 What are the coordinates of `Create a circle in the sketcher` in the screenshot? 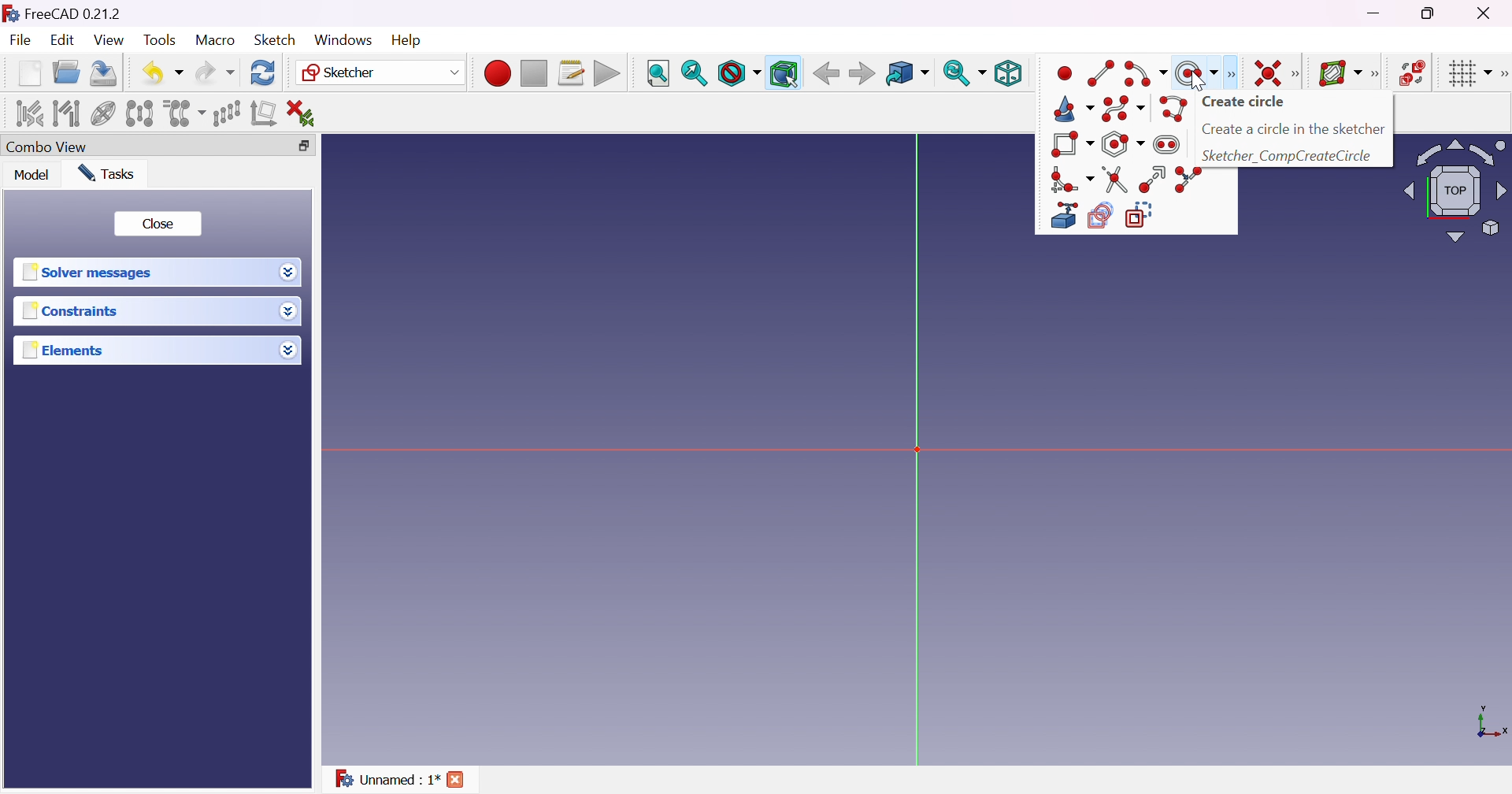 It's located at (1295, 129).